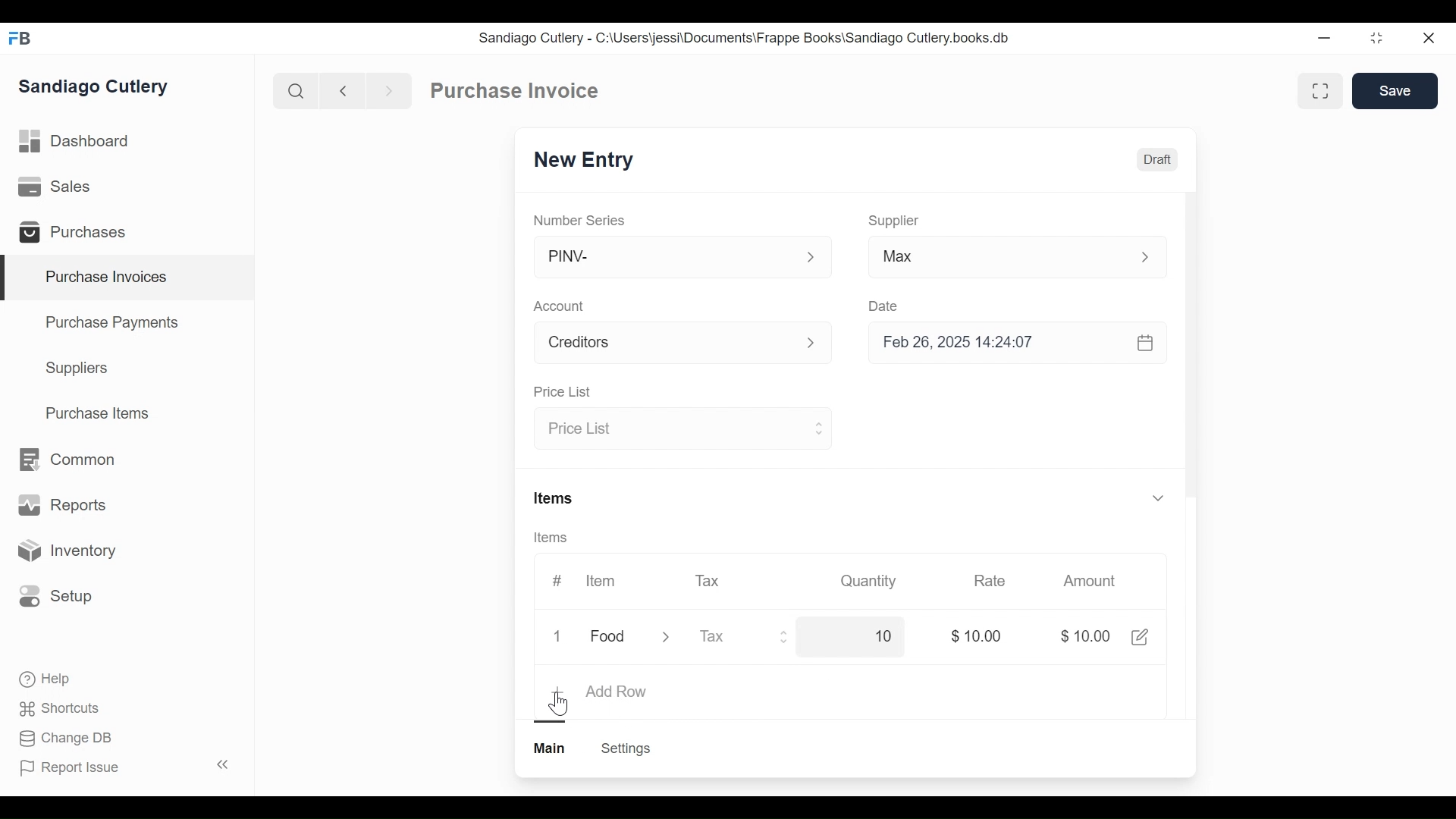  What do you see at coordinates (61, 708) in the screenshot?
I see `Shortcuts` at bounding box center [61, 708].